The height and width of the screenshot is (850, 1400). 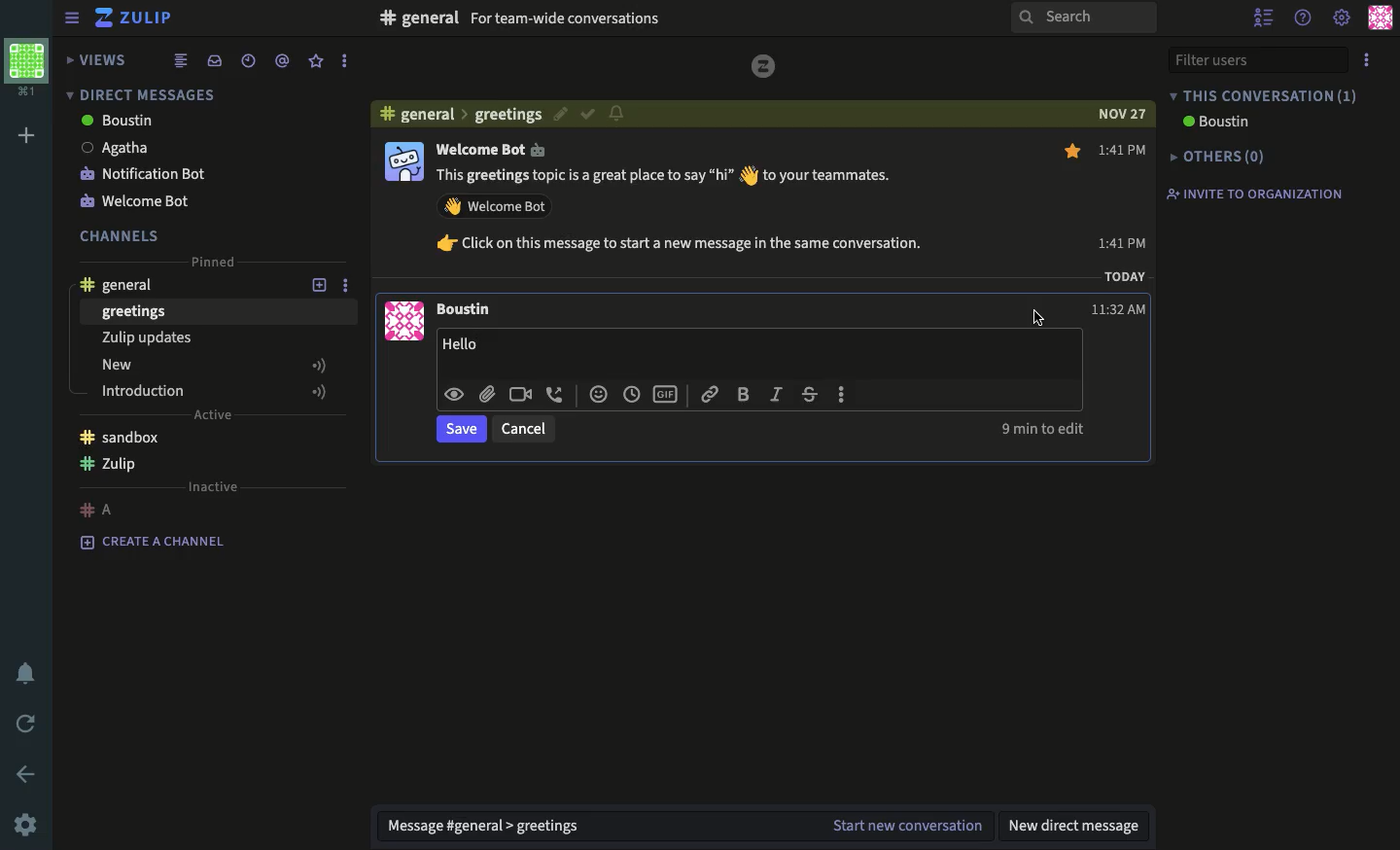 What do you see at coordinates (1367, 59) in the screenshot?
I see `options` at bounding box center [1367, 59].